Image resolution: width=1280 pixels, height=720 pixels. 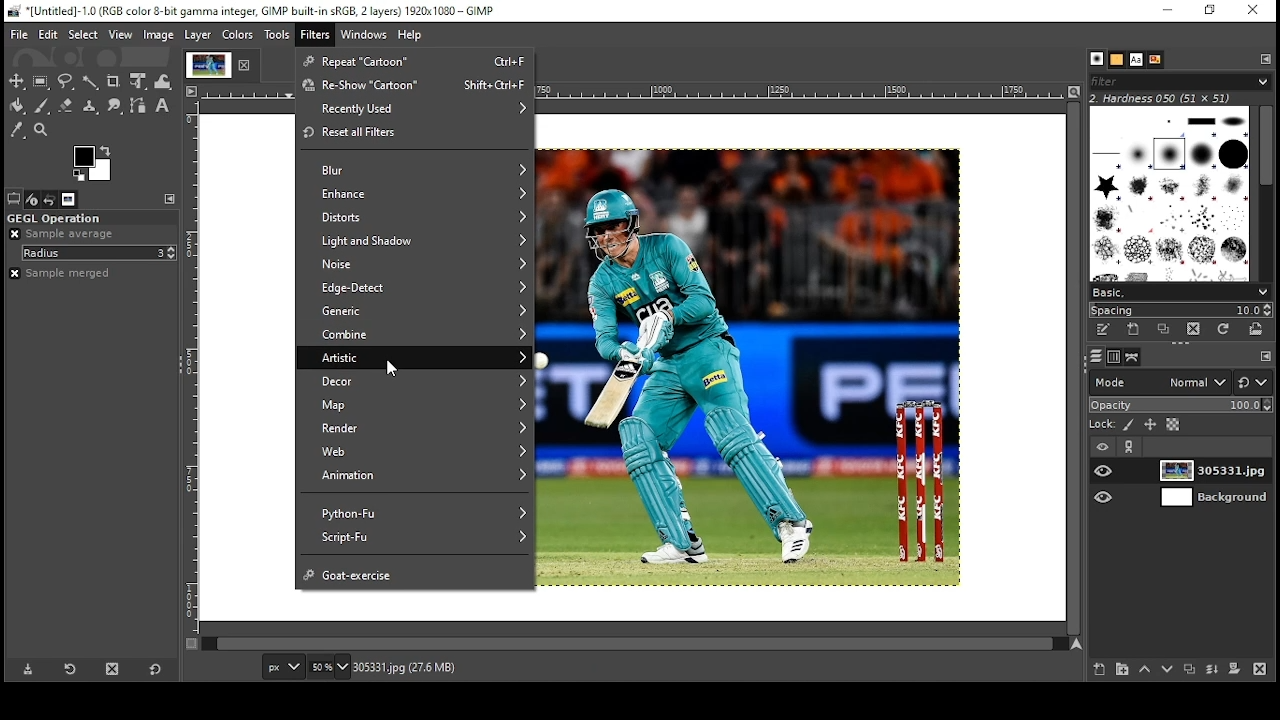 What do you see at coordinates (1216, 499) in the screenshot?
I see `layer 2` at bounding box center [1216, 499].